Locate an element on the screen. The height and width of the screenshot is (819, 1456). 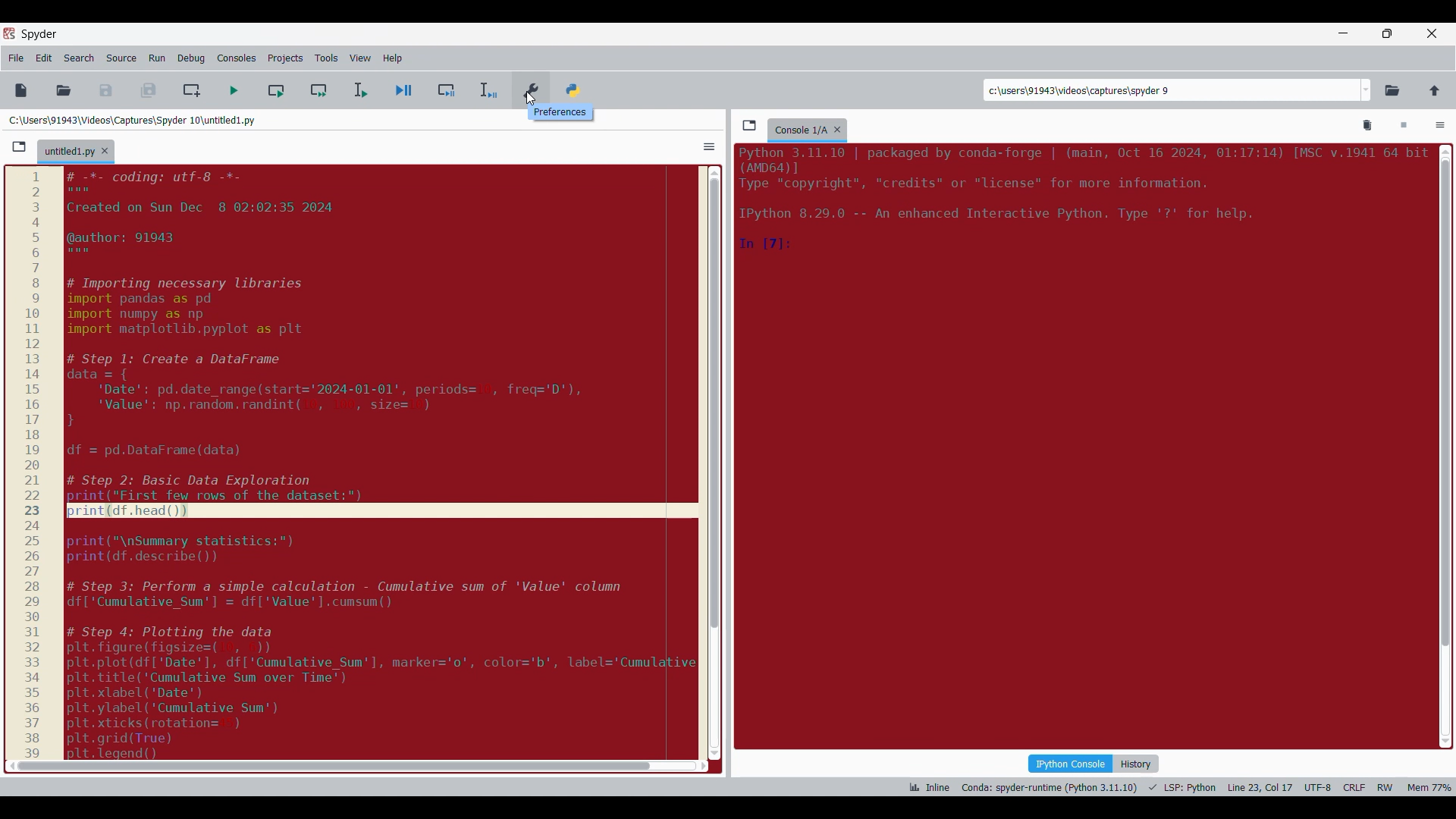
IPython console is located at coordinates (1070, 763).